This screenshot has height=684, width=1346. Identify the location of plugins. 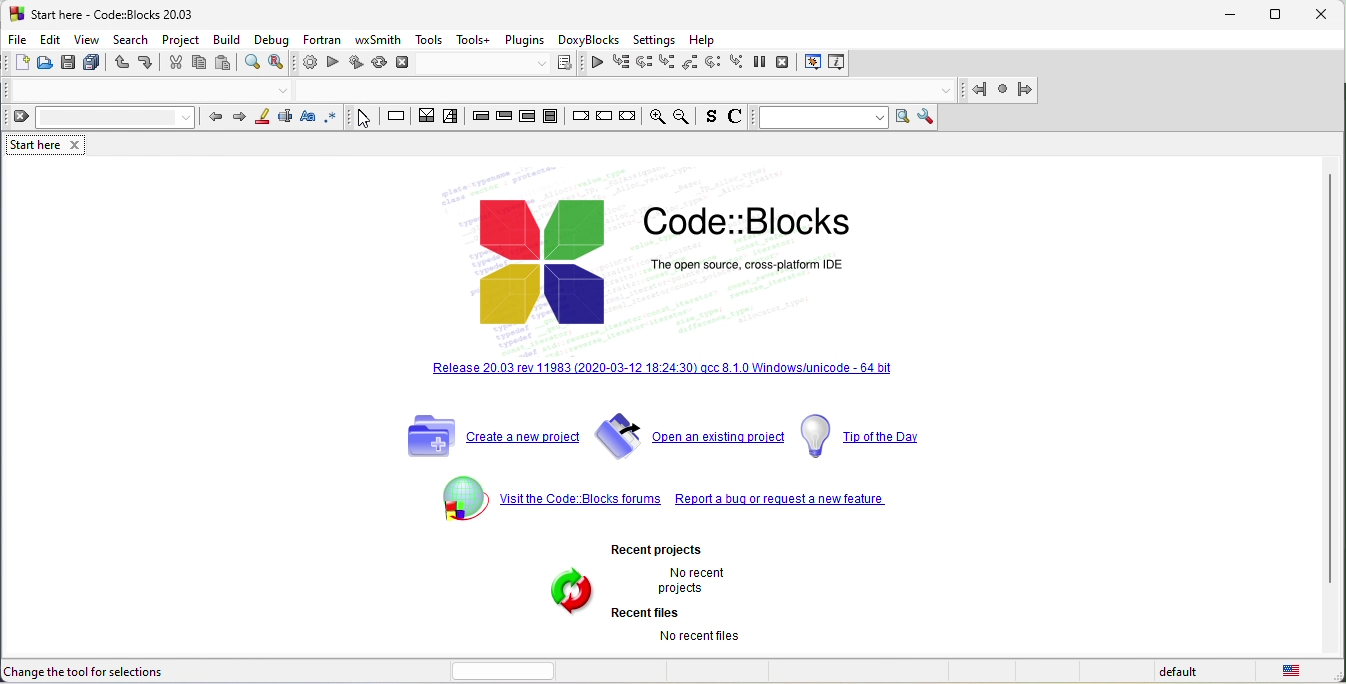
(529, 40).